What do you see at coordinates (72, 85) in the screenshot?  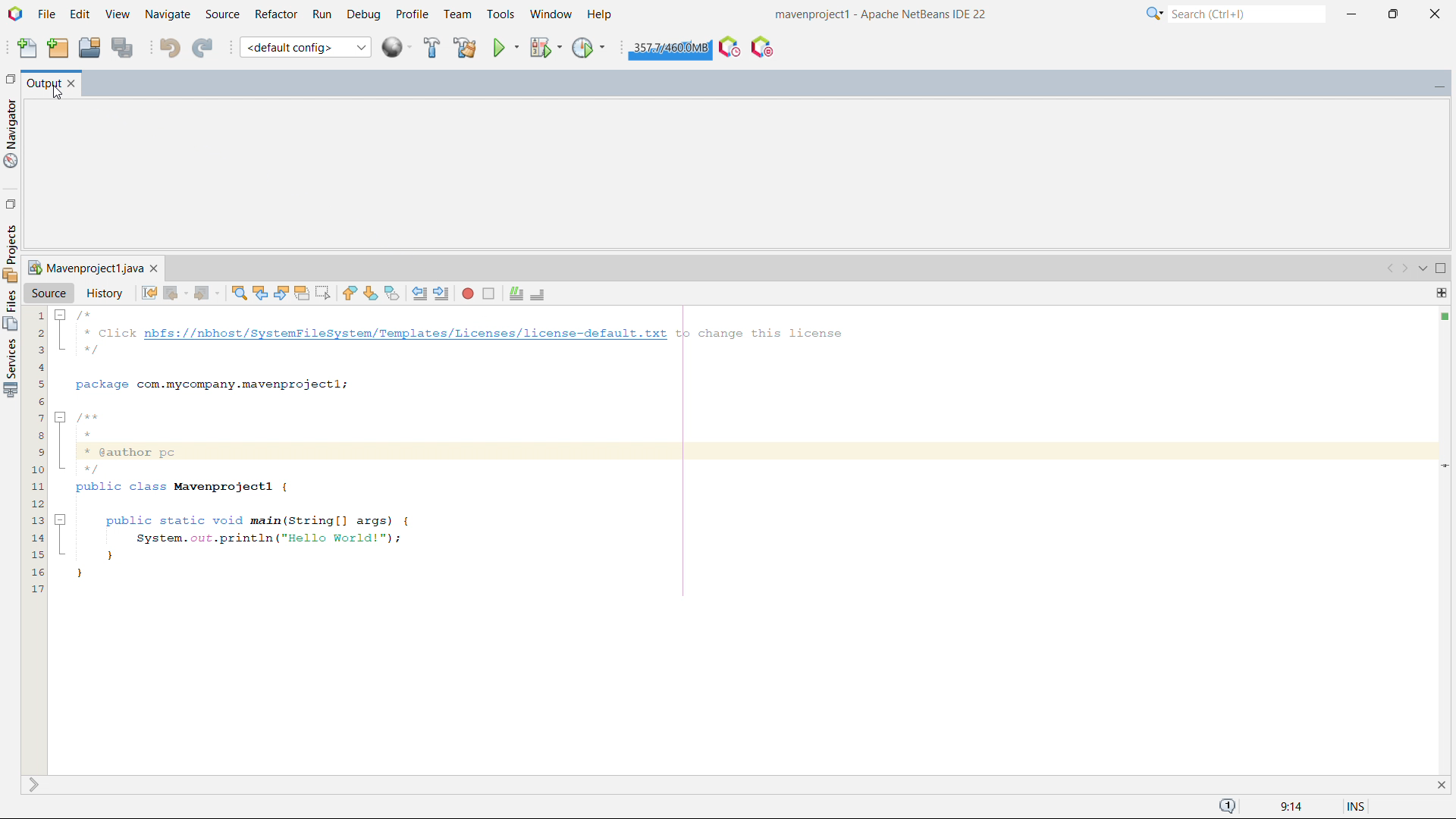 I see `close output window` at bounding box center [72, 85].